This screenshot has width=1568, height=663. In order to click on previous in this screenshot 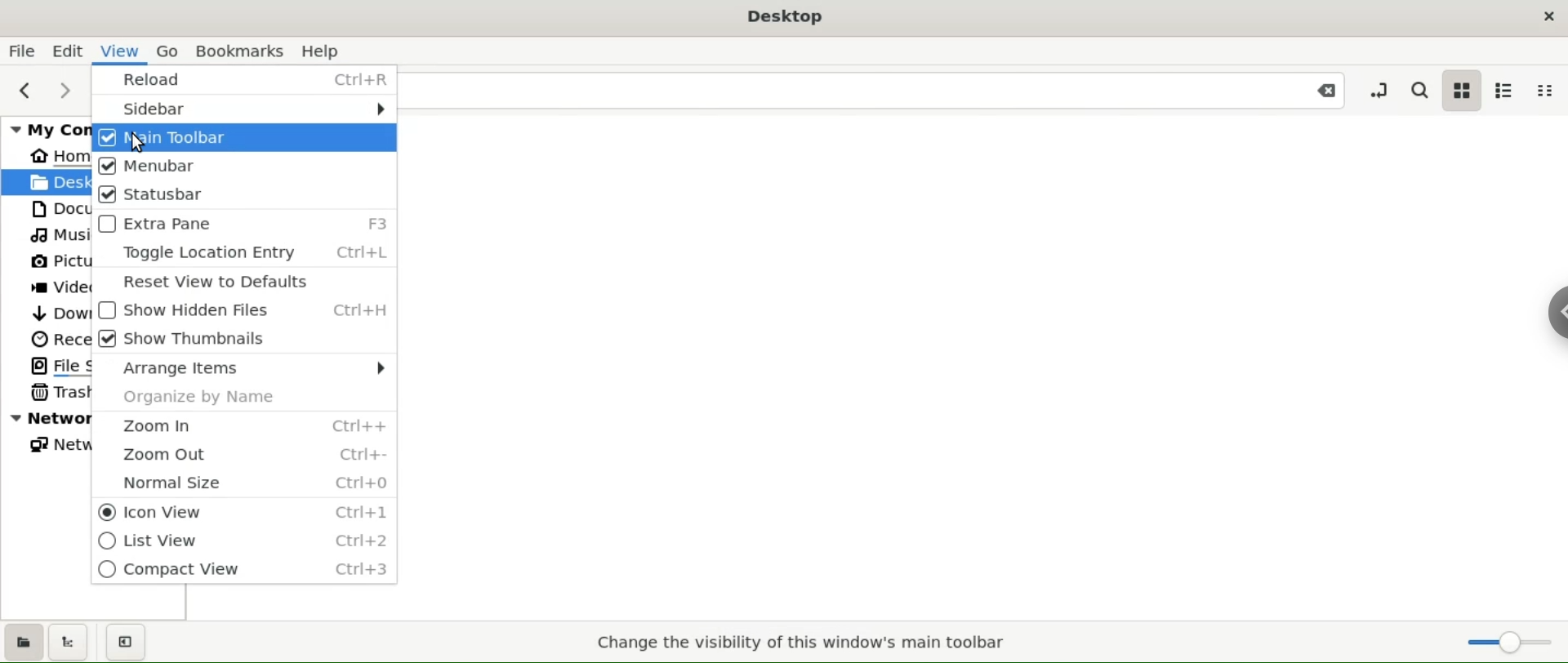, I will do `click(23, 91)`.